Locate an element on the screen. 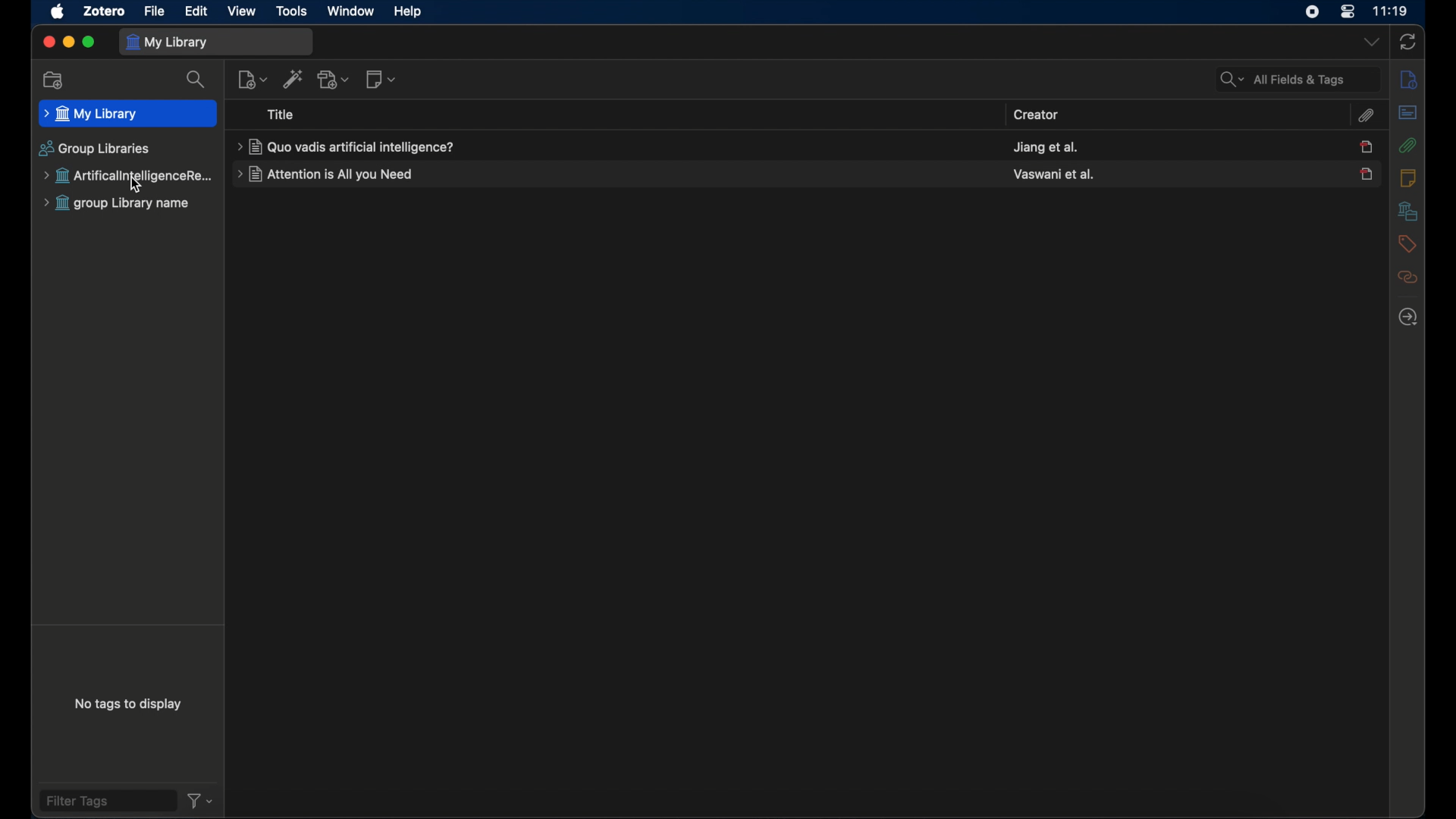 Image resolution: width=1456 pixels, height=819 pixels. group libraries is located at coordinates (93, 149).